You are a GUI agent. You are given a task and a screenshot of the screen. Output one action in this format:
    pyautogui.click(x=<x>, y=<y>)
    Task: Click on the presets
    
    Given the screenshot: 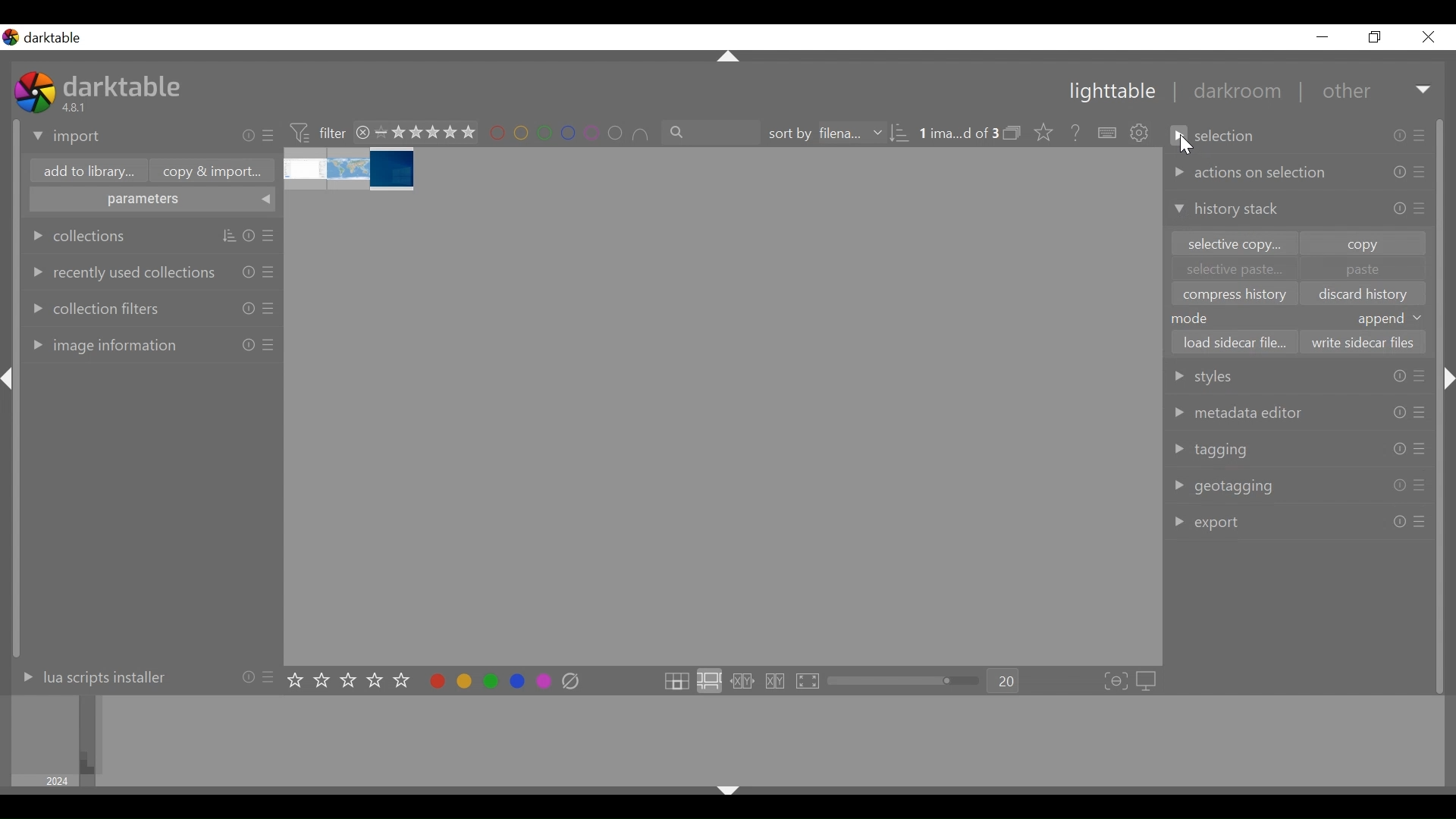 What is the action you would take?
    pyautogui.click(x=1421, y=209)
    